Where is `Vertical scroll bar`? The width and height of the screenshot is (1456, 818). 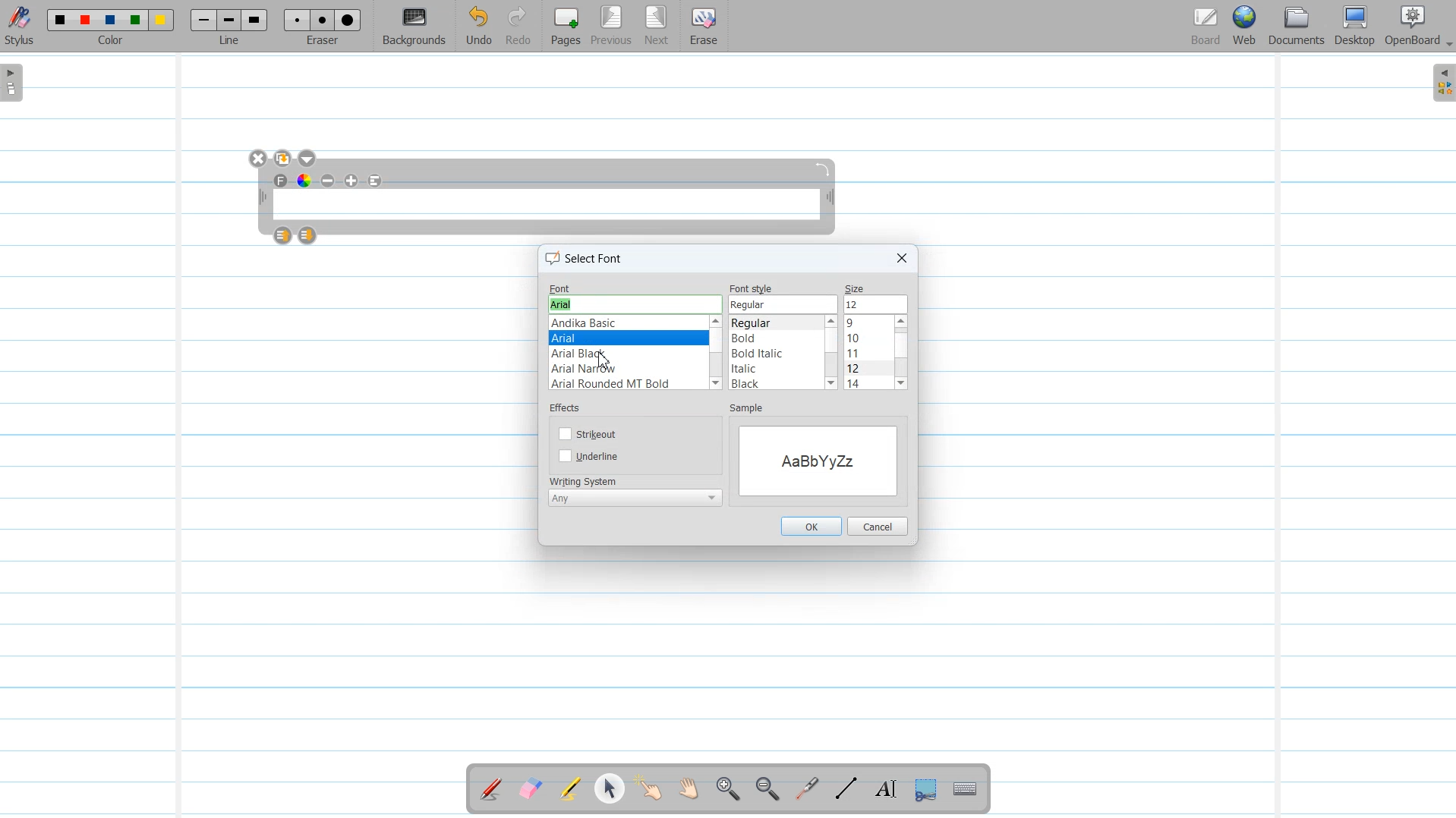
Vertical scroll bar is located at coordinates (833, 354).